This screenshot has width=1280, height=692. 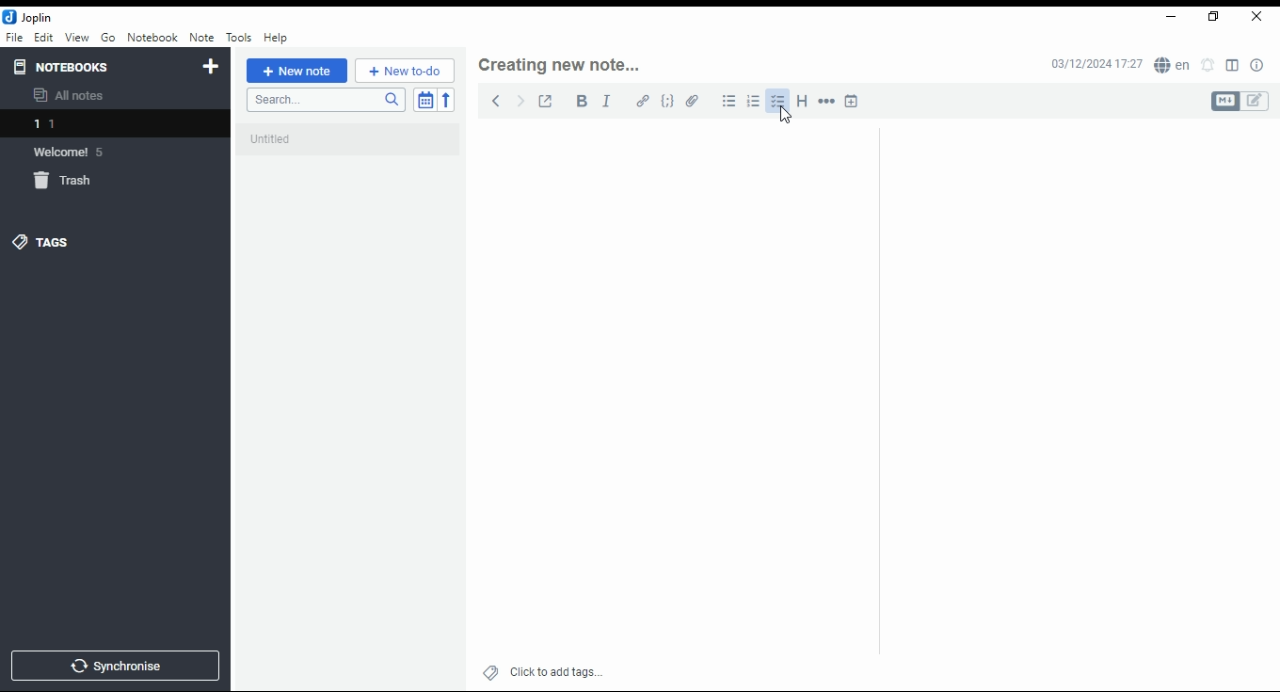 I want to click on edit, so click(x=44, y=36).